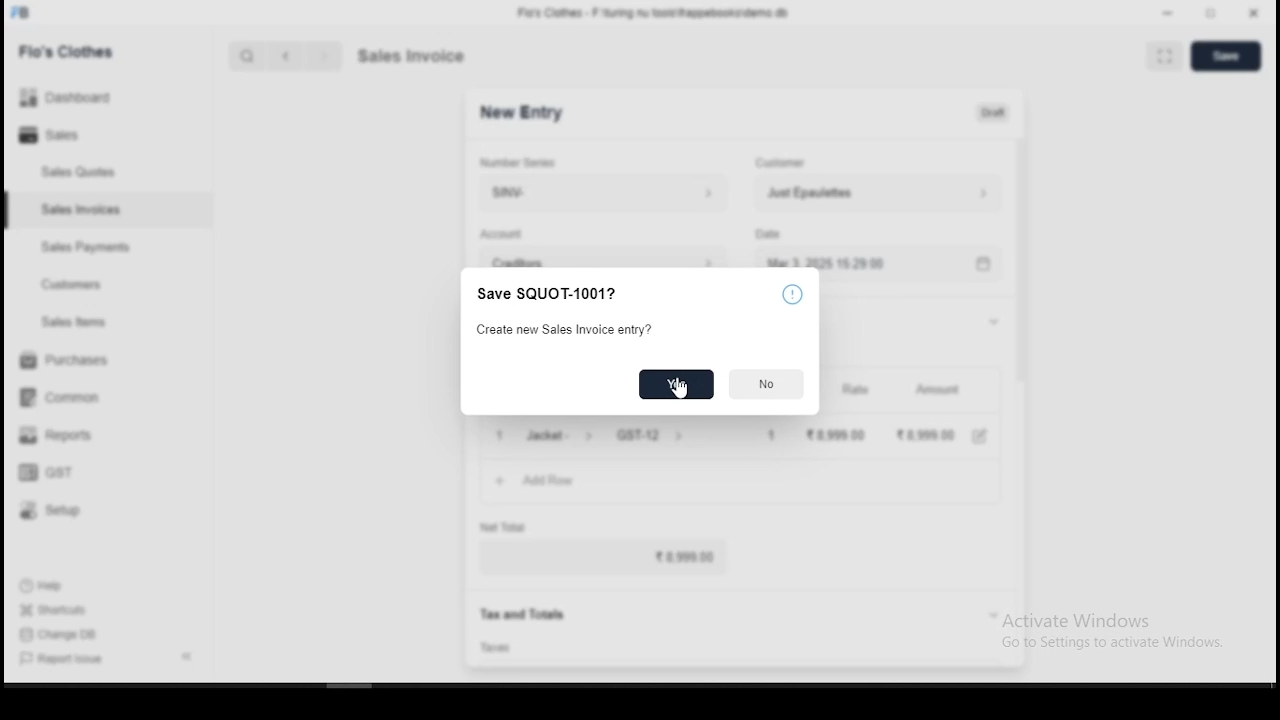  Describe the element at coordinates (514, 615) in the screenshot. I see `Tax and Totals` at that location.